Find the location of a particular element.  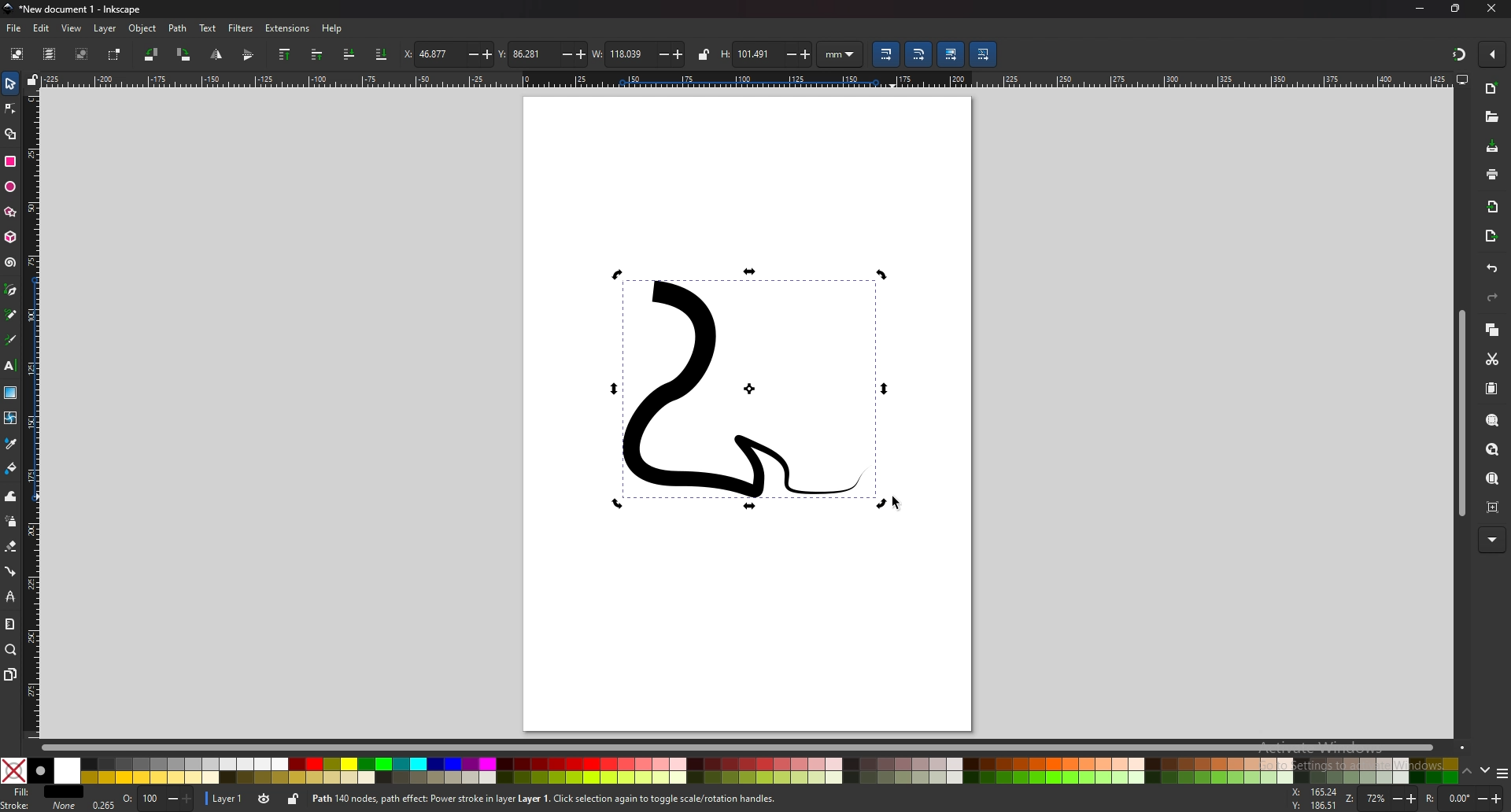

rotate 90 degree cw is located at coordinates (184, 54).